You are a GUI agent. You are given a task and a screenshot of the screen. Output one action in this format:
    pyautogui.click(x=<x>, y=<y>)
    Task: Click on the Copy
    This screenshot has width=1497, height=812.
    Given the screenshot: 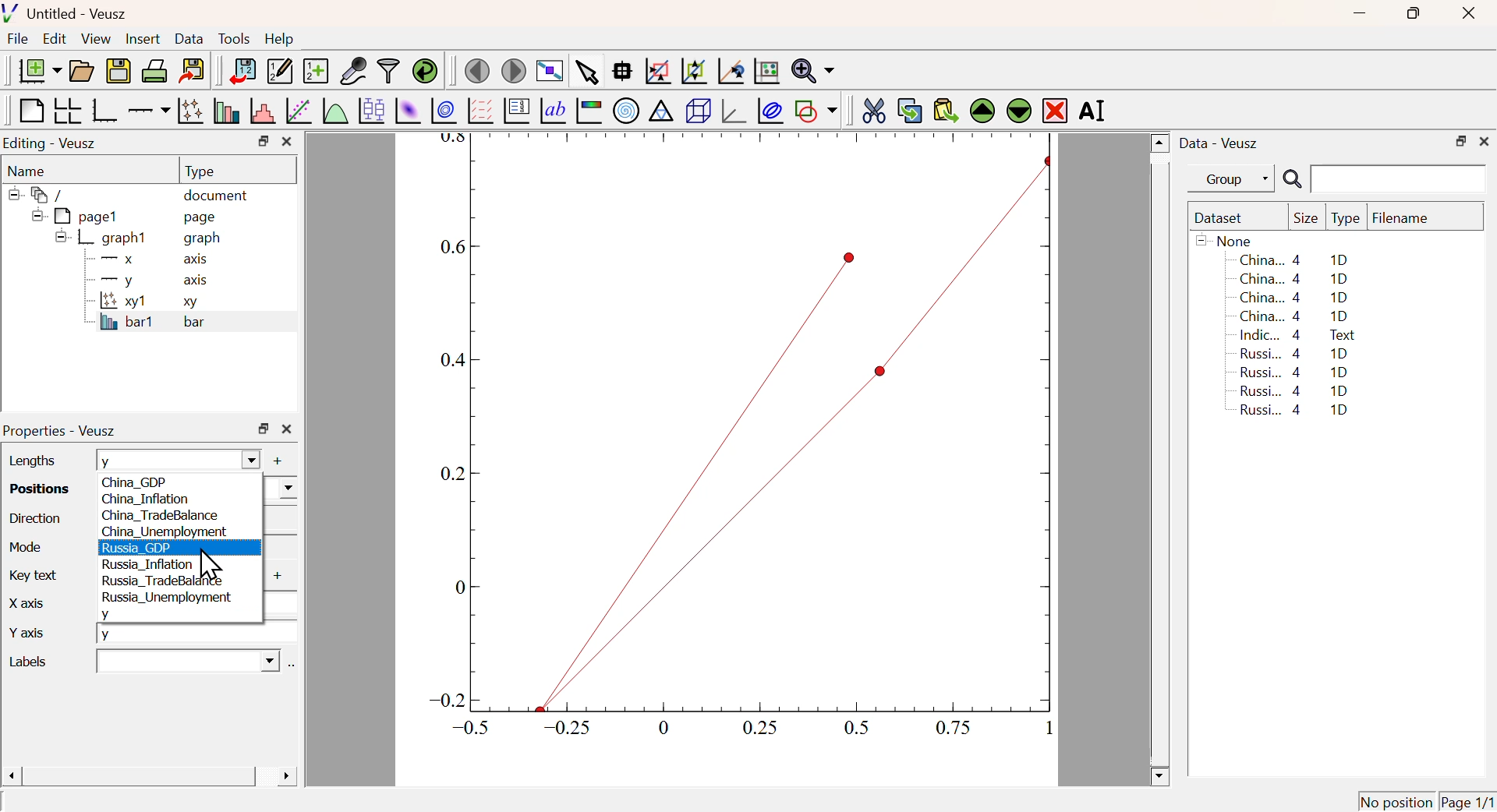 What is the action you would take?
    pyautogui.click(x=909, y=111)
    